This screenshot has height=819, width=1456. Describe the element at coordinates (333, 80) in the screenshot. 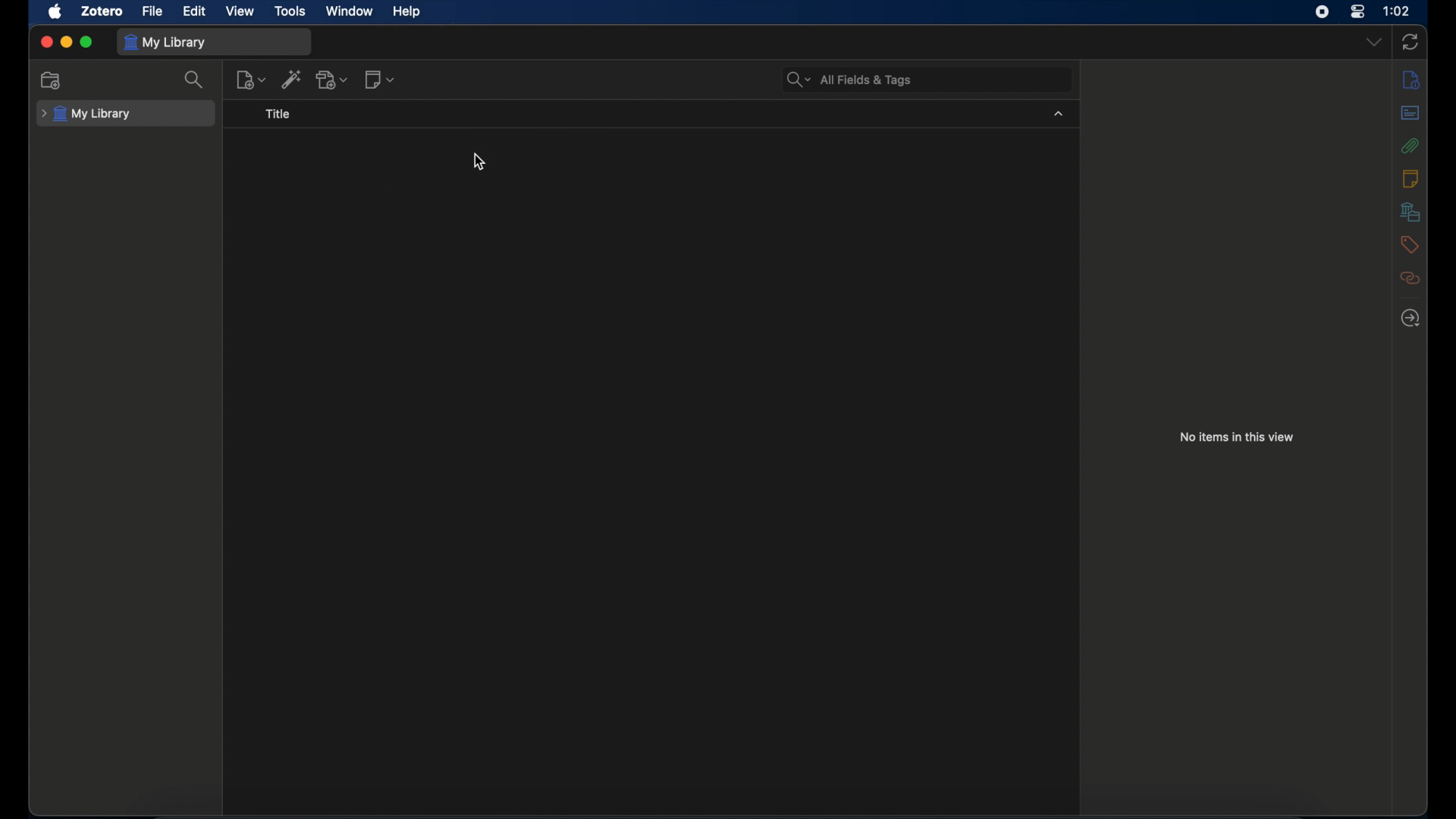

I see `add attachment` at that location.